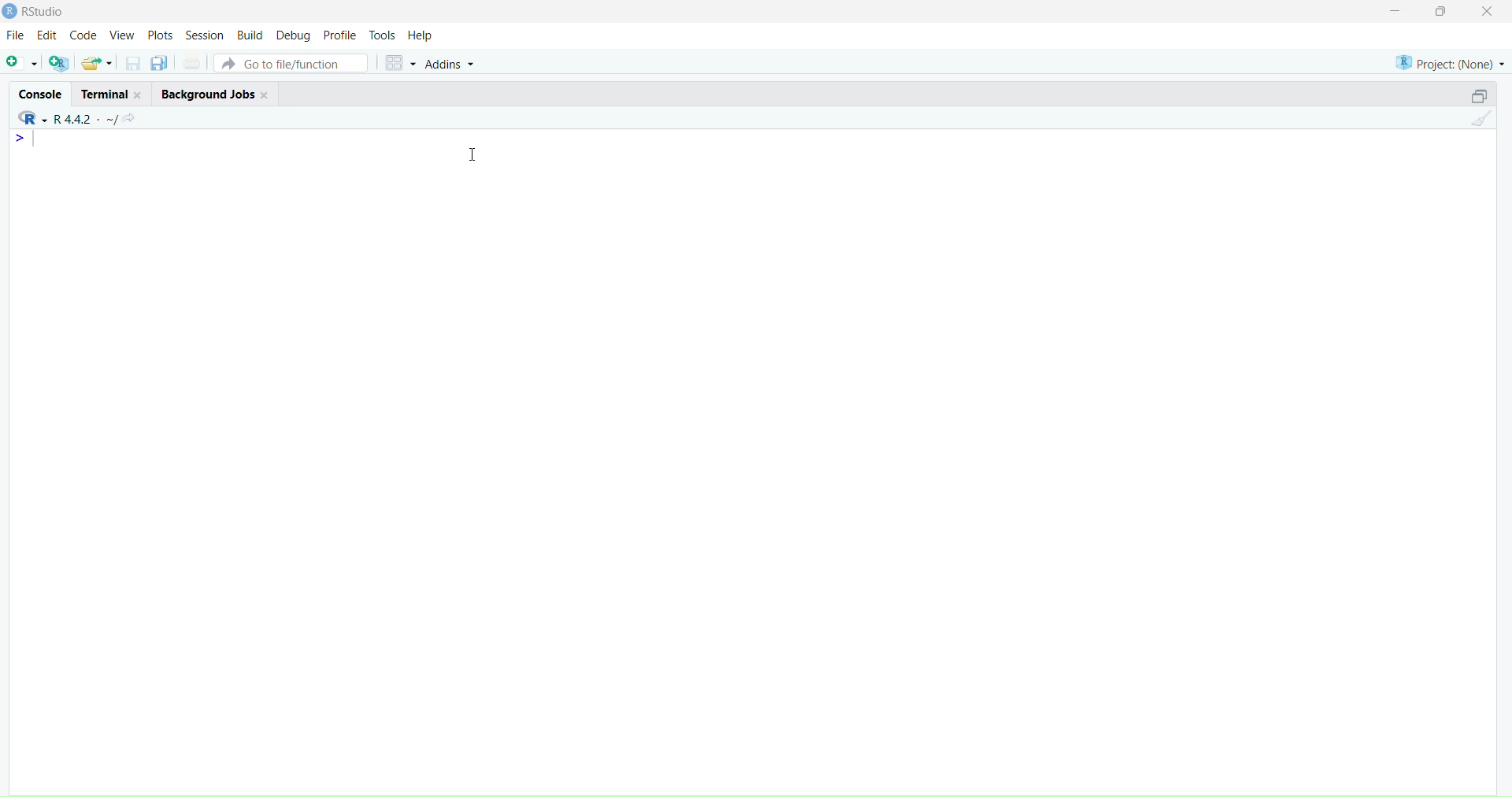 This screenshot has width=1512, height=797. Describe the element at coordinates (293, 36) in the screenshot. I see `debug` at that location.